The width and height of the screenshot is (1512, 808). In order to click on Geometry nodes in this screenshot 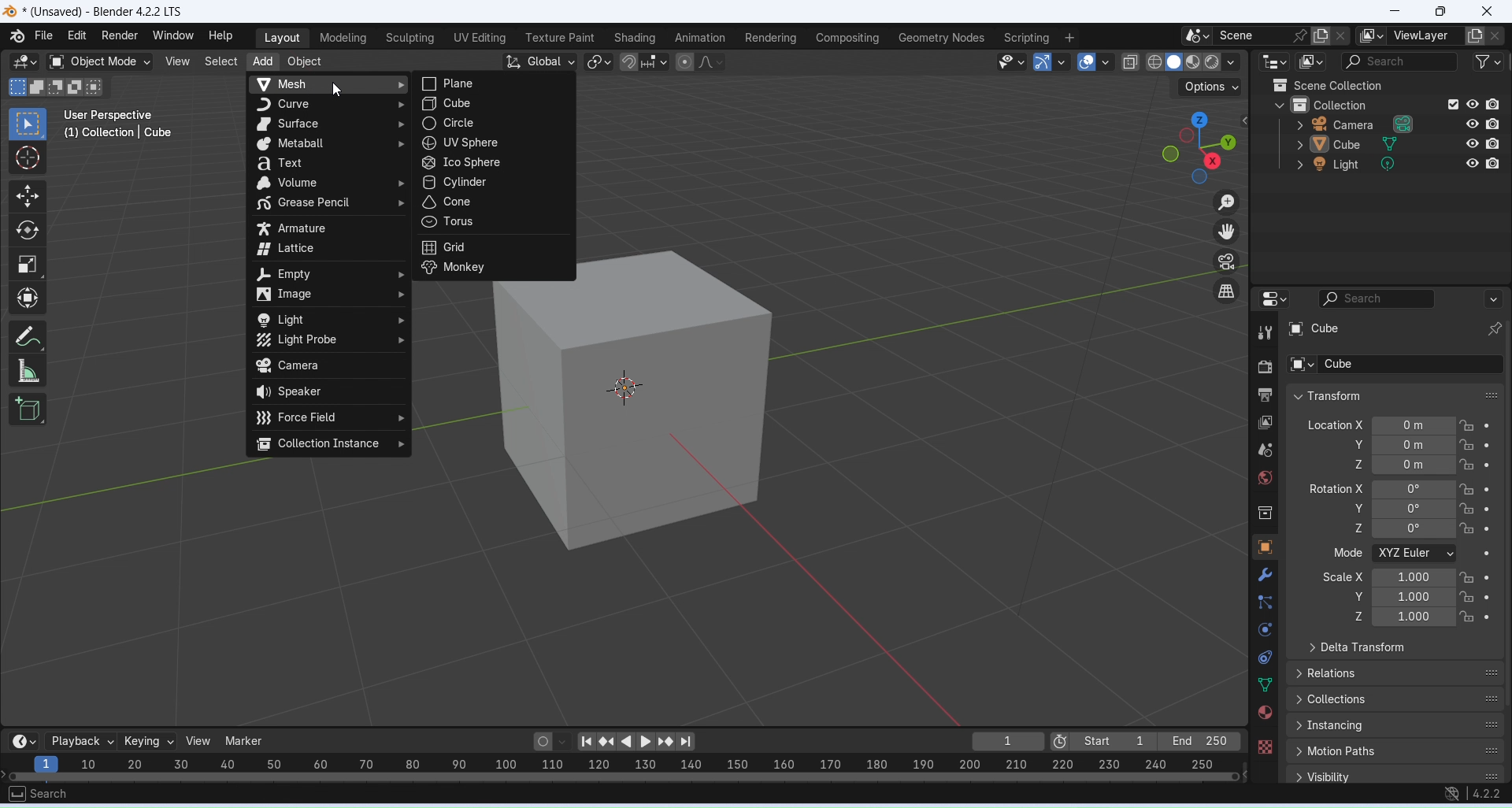, I will do `click(943, 37)`.